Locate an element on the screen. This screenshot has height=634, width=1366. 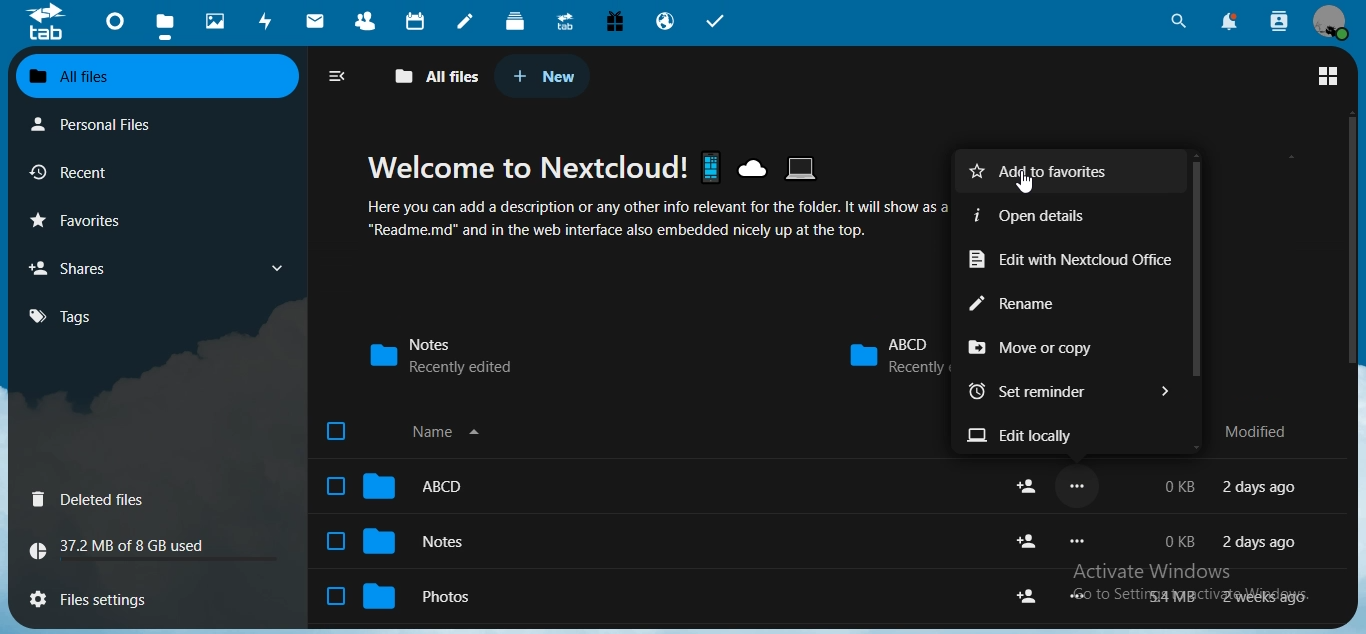
scrollbar is located at coordinates (1197, 270).